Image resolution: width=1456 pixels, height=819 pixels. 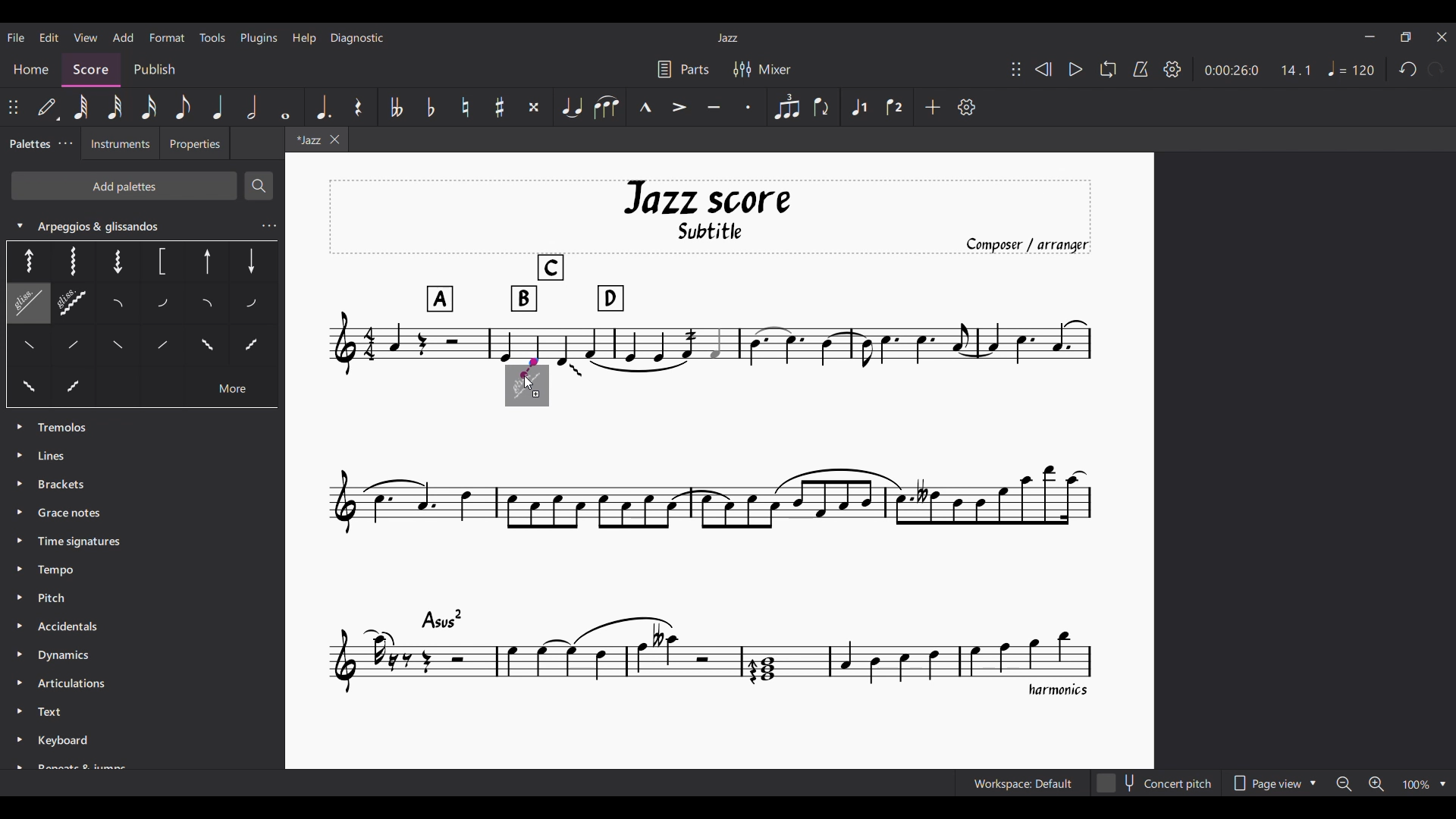 What do you see at coordinates (1108, 69) in the screenshot?
I see `Loop playback` at bounding box center [1108, 69].